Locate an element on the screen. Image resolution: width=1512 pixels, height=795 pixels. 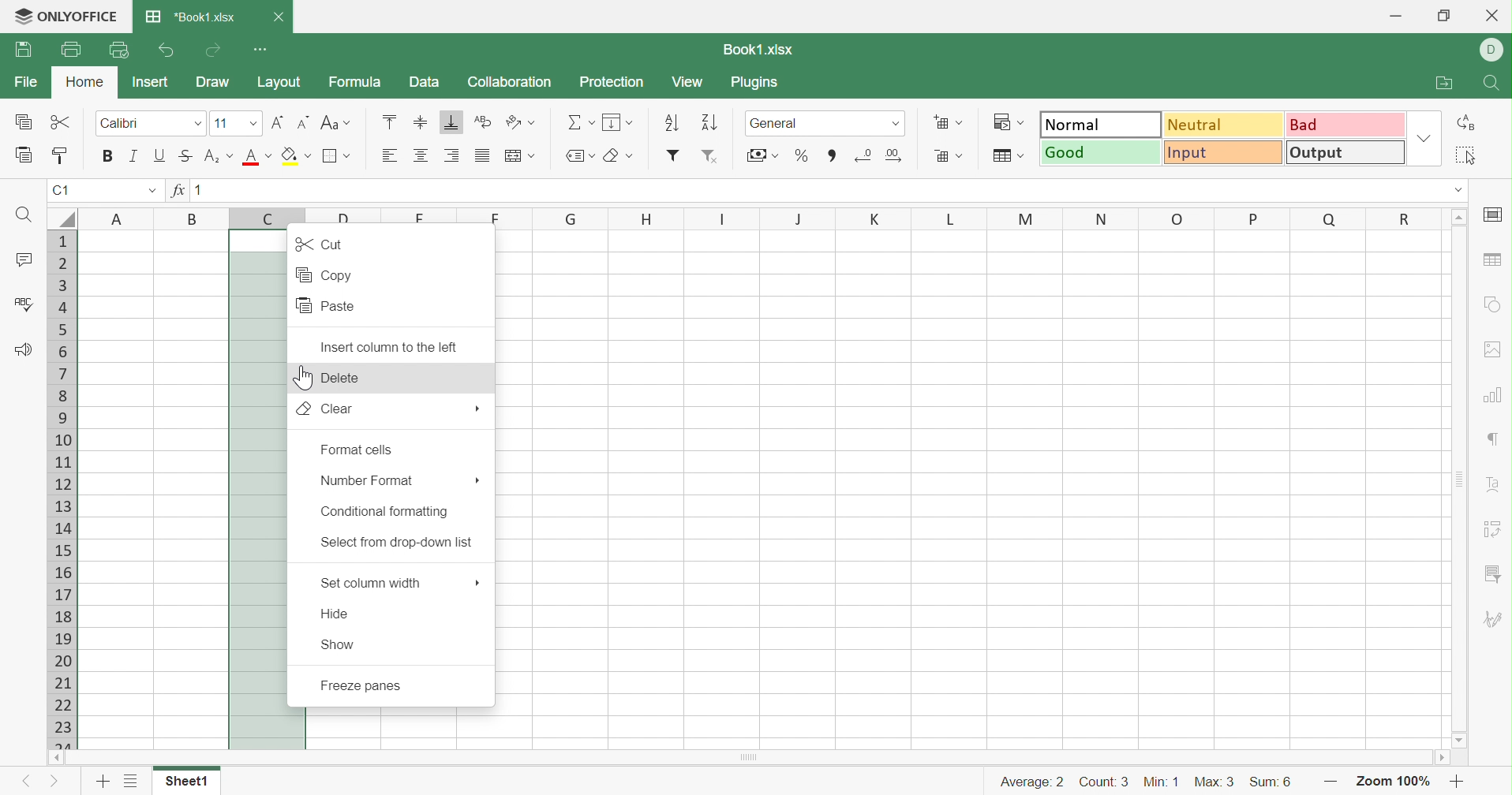
Cut is located at coordinates (327, 243).